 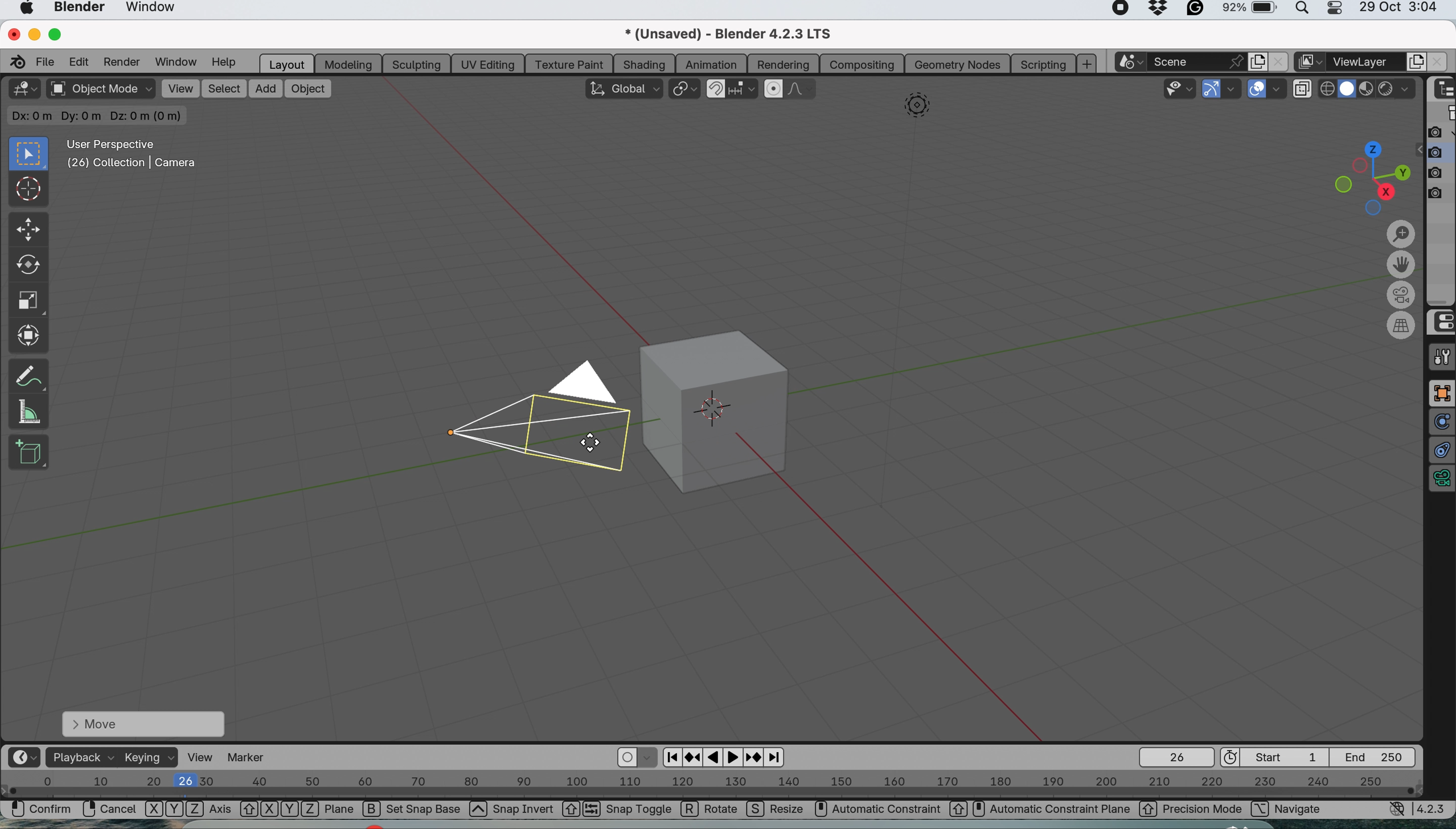 I want to click on *(Unsaved) - Blend 4.2.3 LTS, so click(x=741, y=34).